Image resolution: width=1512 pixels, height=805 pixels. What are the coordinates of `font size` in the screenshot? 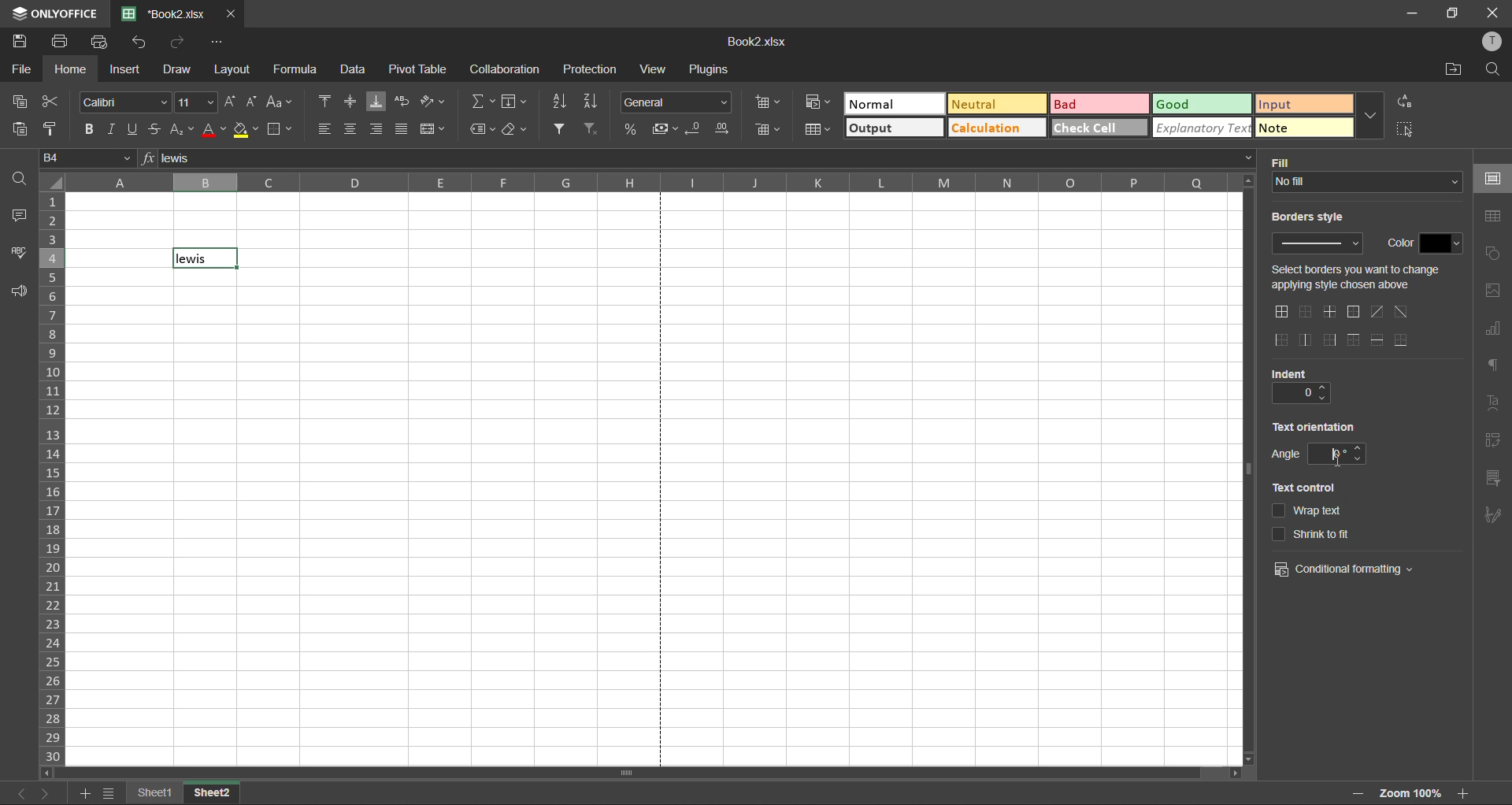 It's located at (193, 103).